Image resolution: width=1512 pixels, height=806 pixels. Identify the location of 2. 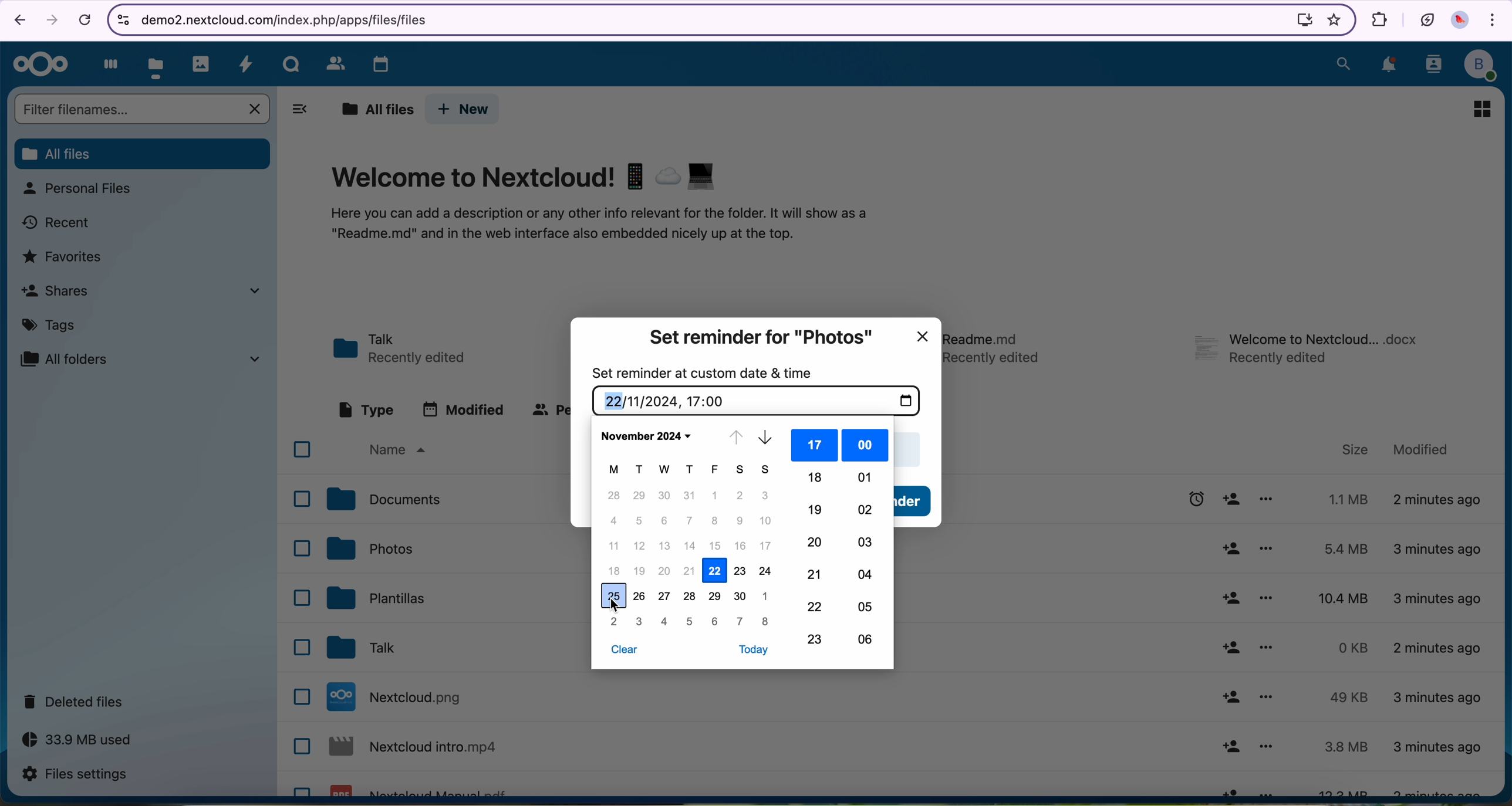
(615, 622).